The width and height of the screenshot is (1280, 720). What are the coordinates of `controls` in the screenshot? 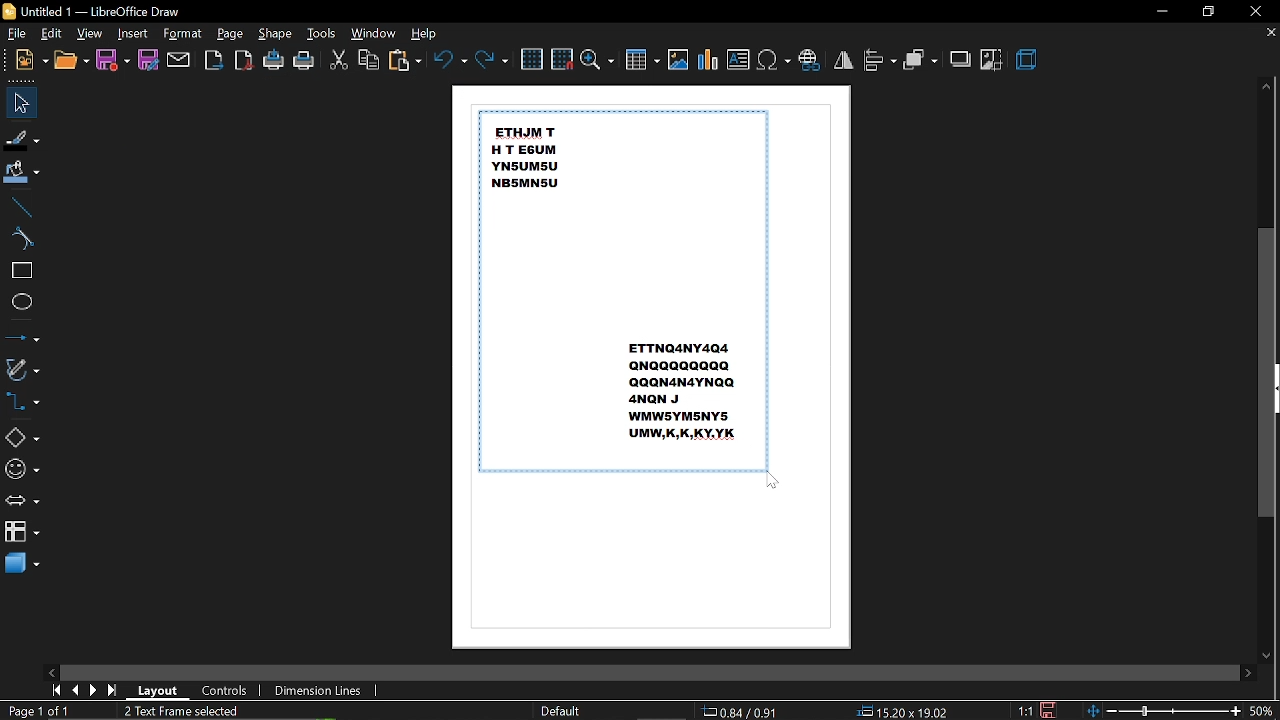 It's located at (229, 691).